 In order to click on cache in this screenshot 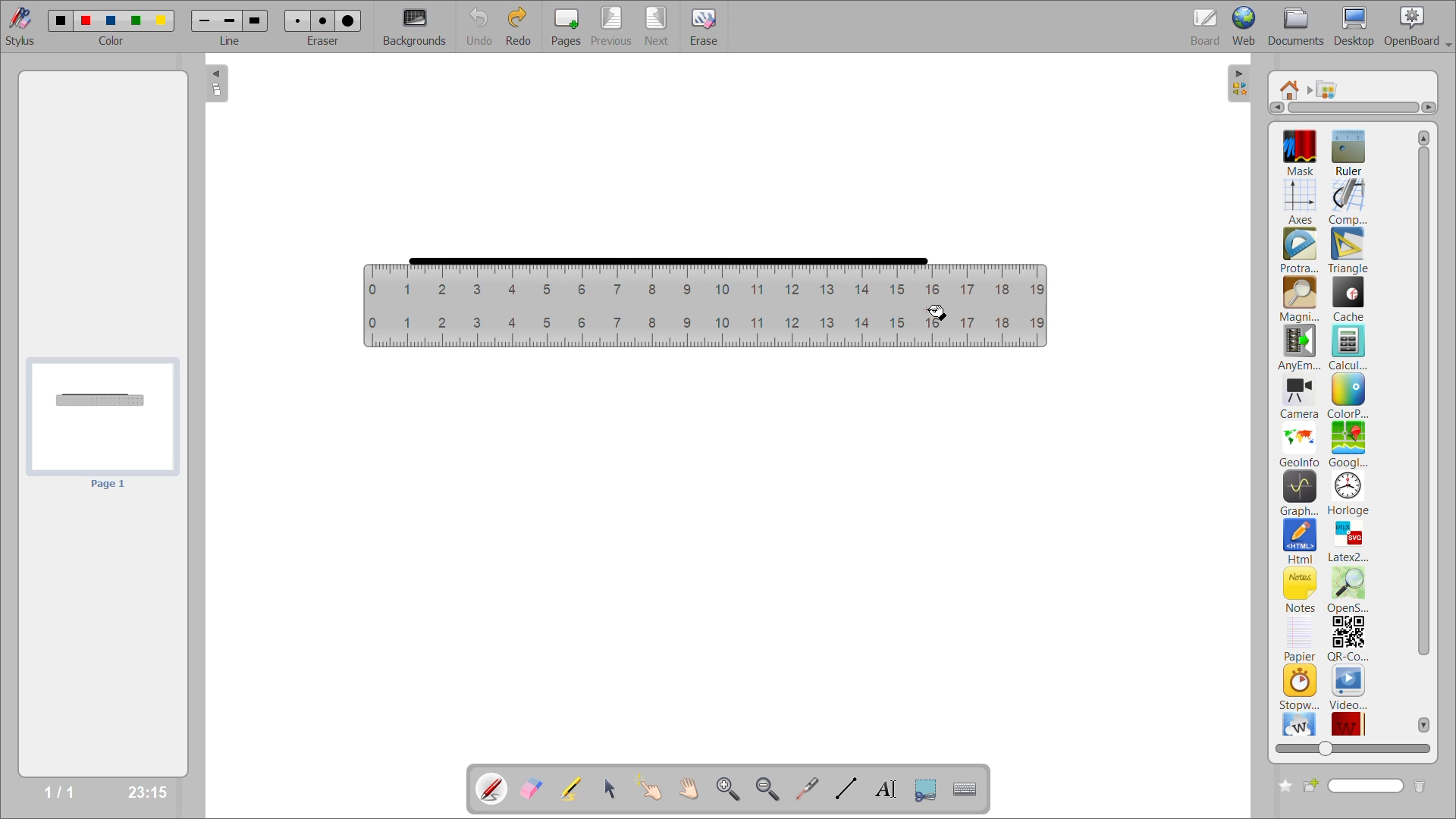, I will do `click(1349, 299)`.